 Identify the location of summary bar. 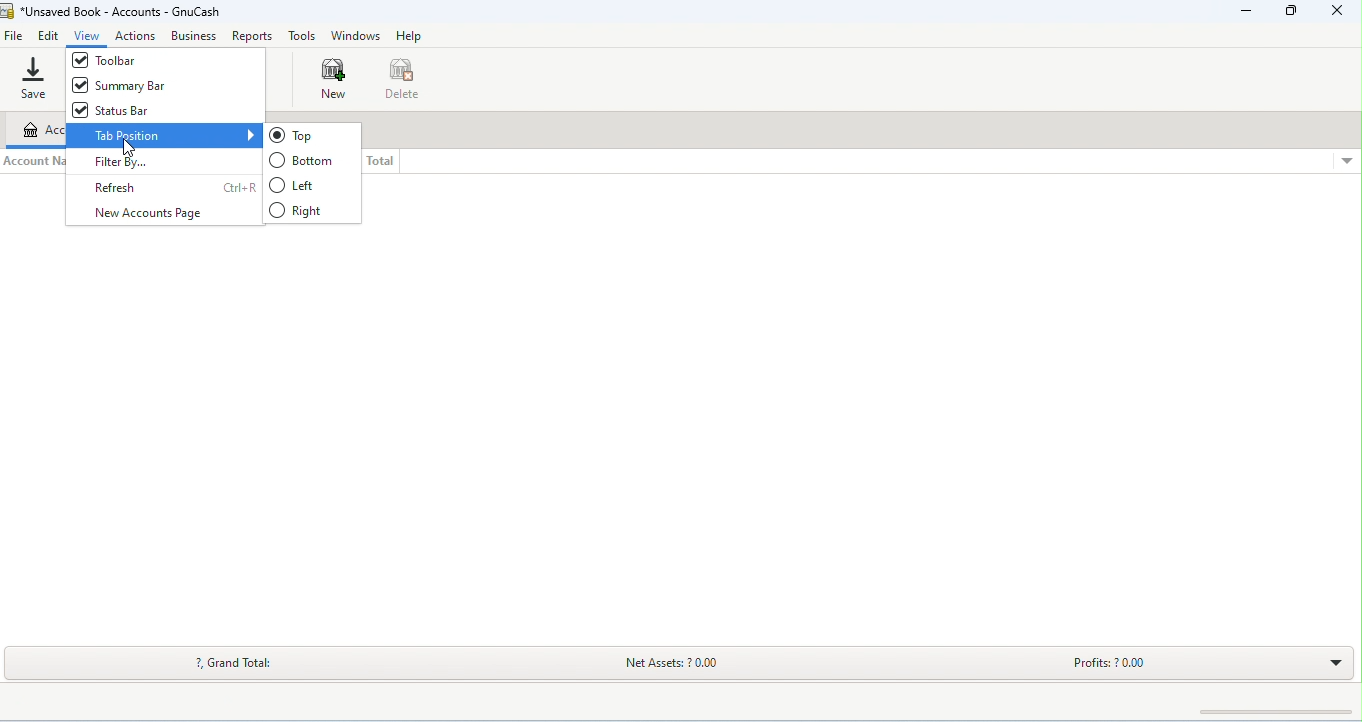
(160, 84).